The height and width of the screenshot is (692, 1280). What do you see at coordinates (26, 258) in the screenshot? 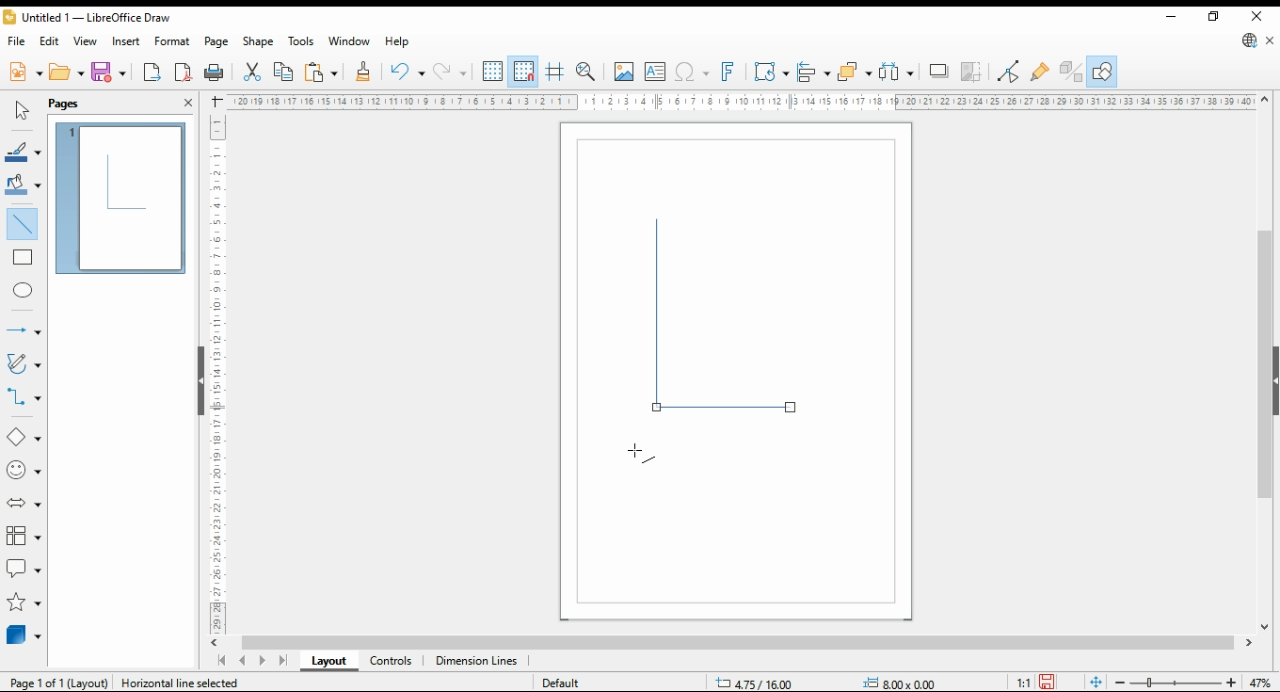
I see `insert line message` at bounding box center [26, 258].